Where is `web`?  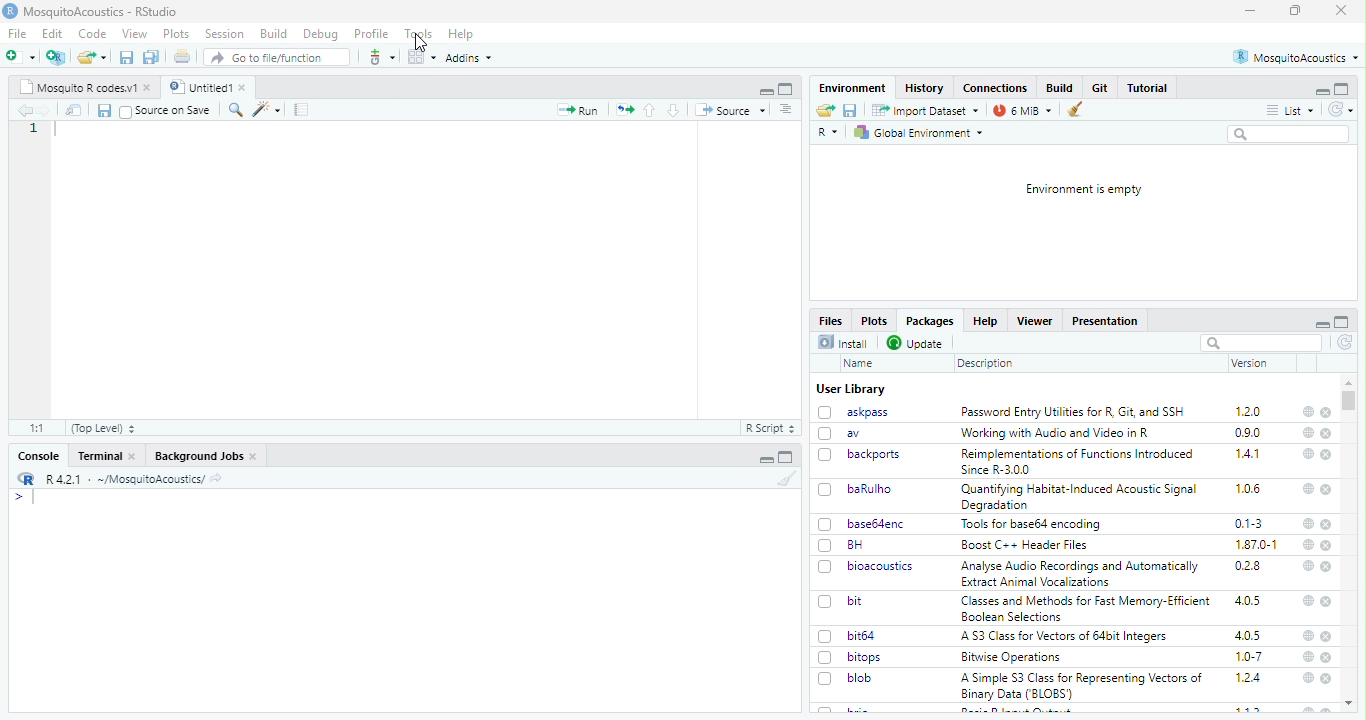
web is located at coordinates (1309, 524).